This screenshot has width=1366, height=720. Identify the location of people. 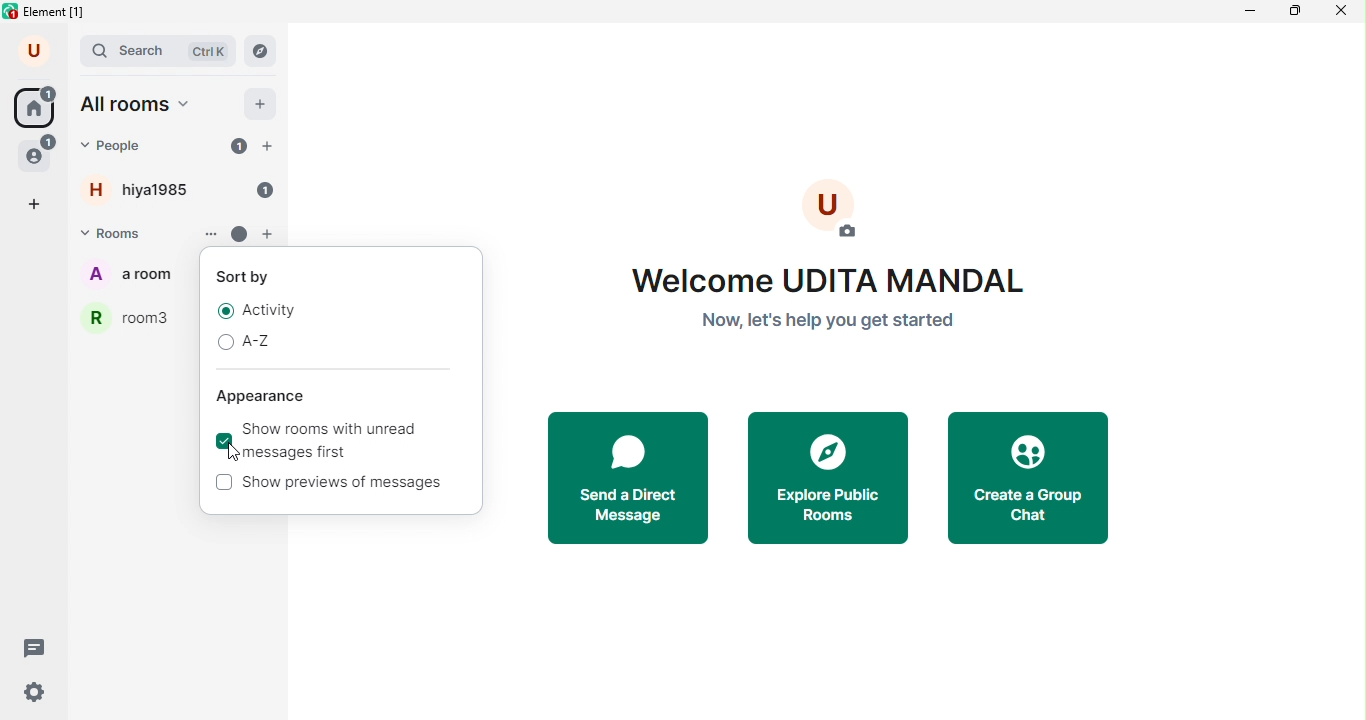
(38, 152).